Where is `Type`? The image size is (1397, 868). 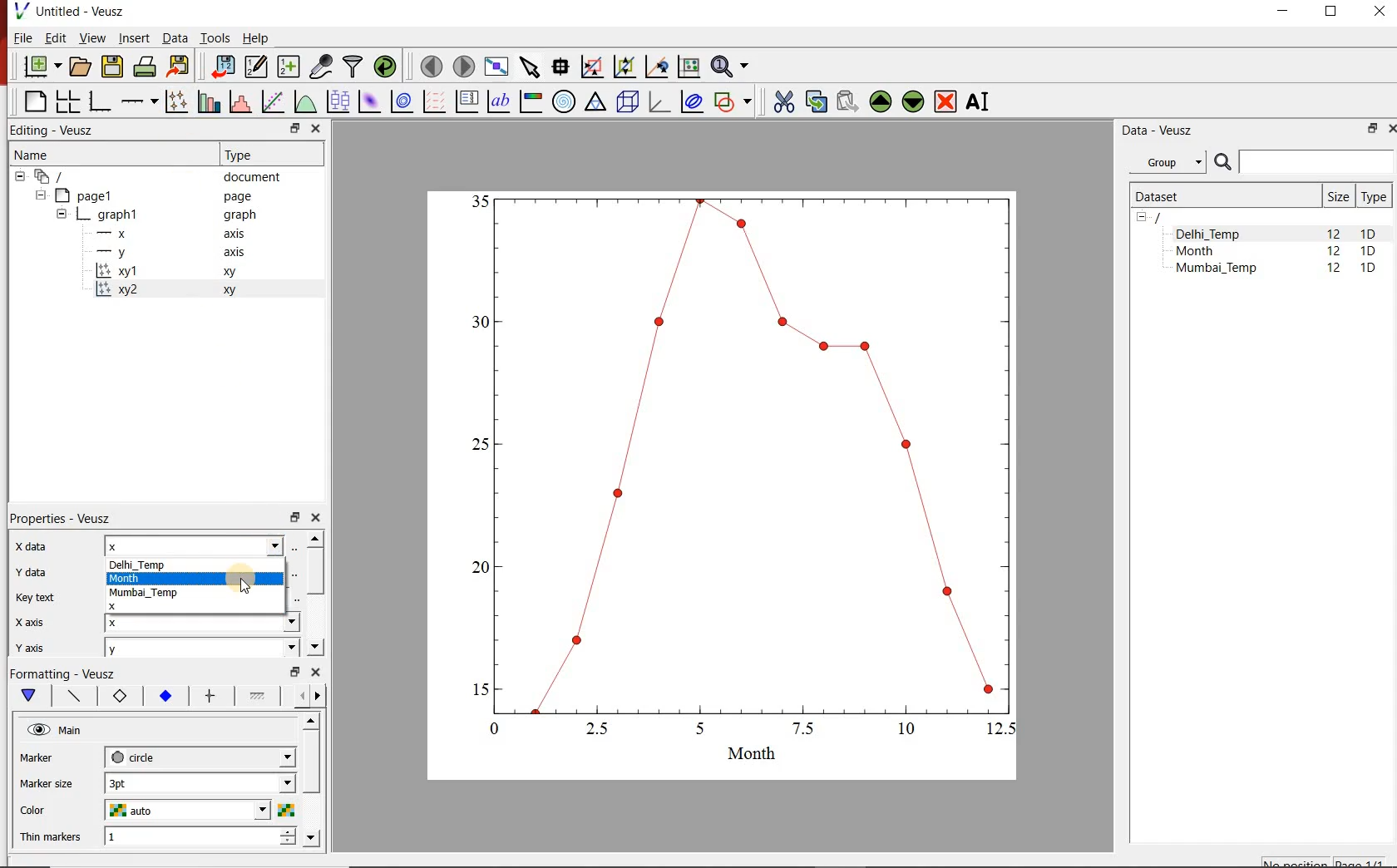 Type is located at coordinates (1374, 196).